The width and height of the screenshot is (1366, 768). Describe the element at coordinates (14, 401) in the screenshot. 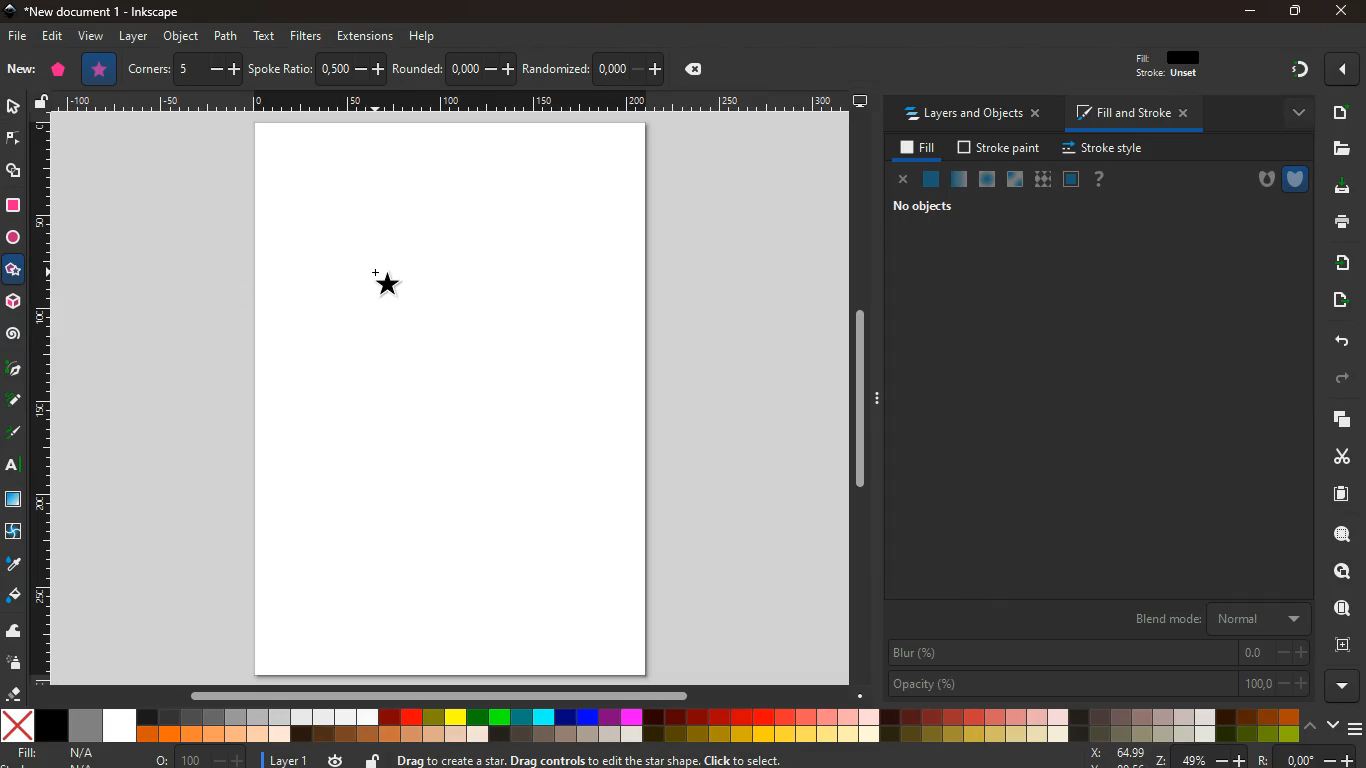

I see `write` at that location.